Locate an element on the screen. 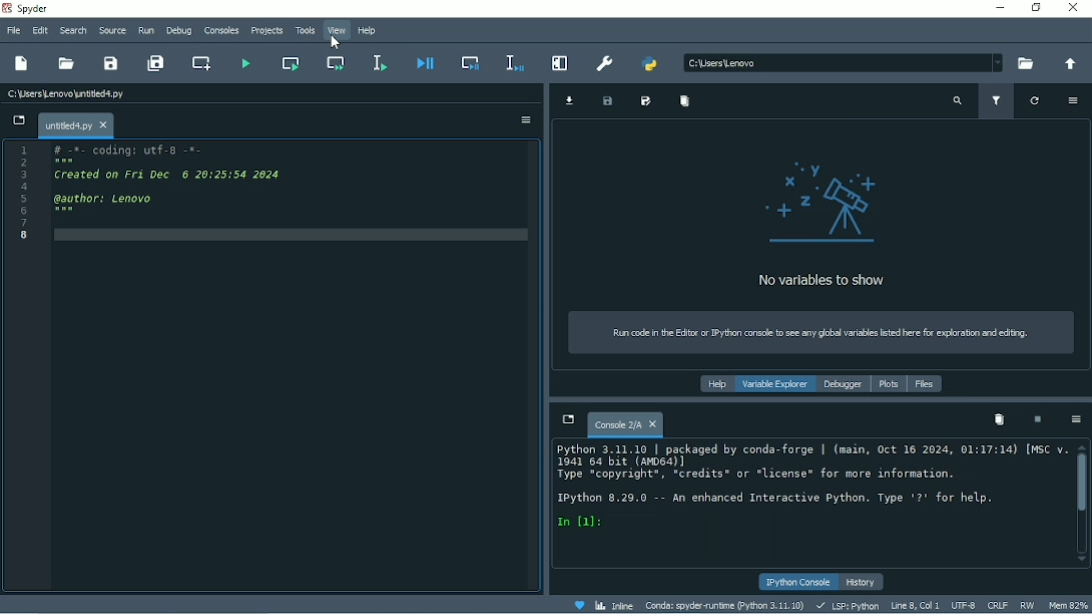 The height and width of the screenshot is (614, 1092). File is located at coordinates (12, 31).